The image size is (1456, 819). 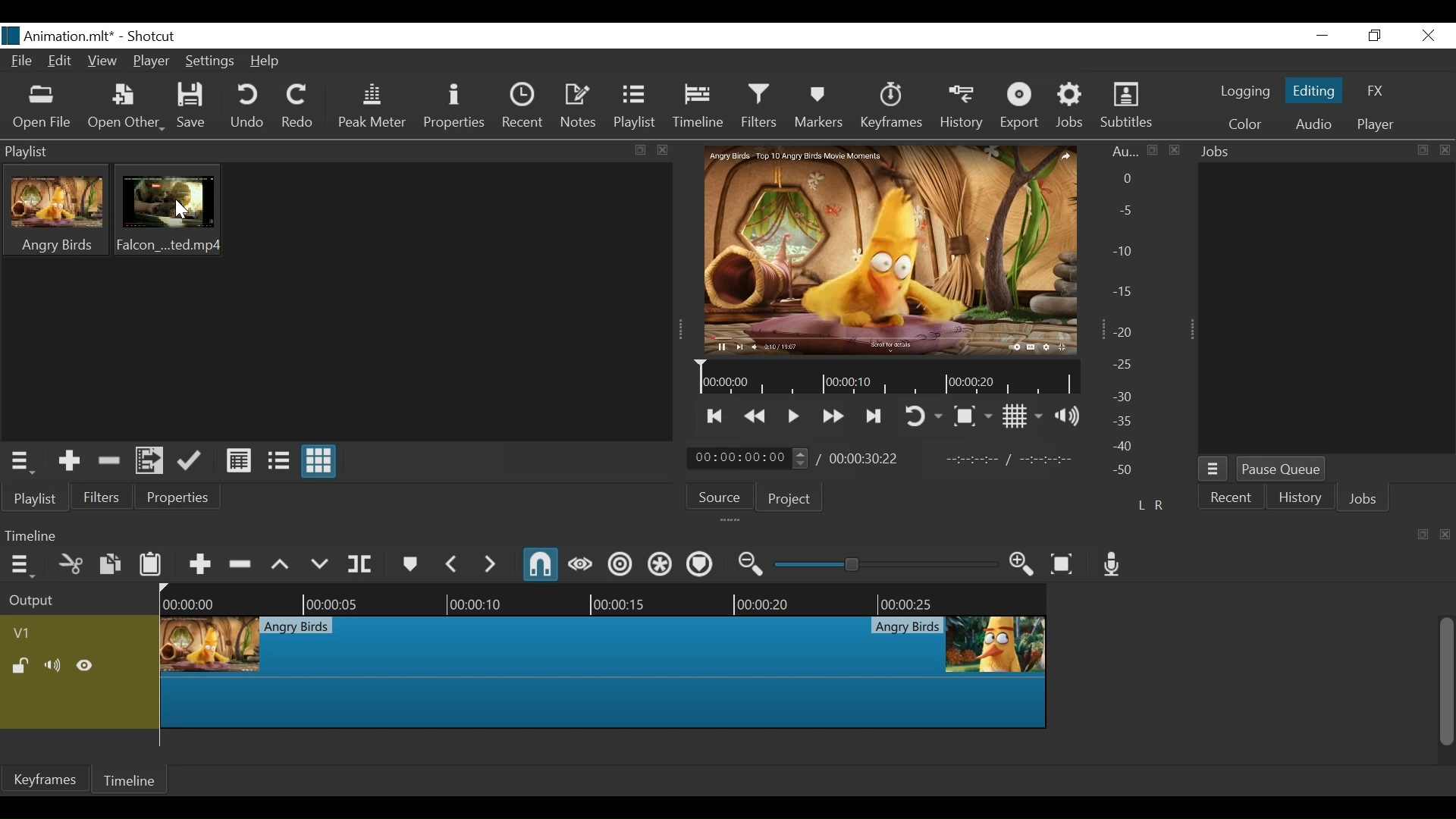 I want to click on Zoom timeline out, so click(x=752, y=564).